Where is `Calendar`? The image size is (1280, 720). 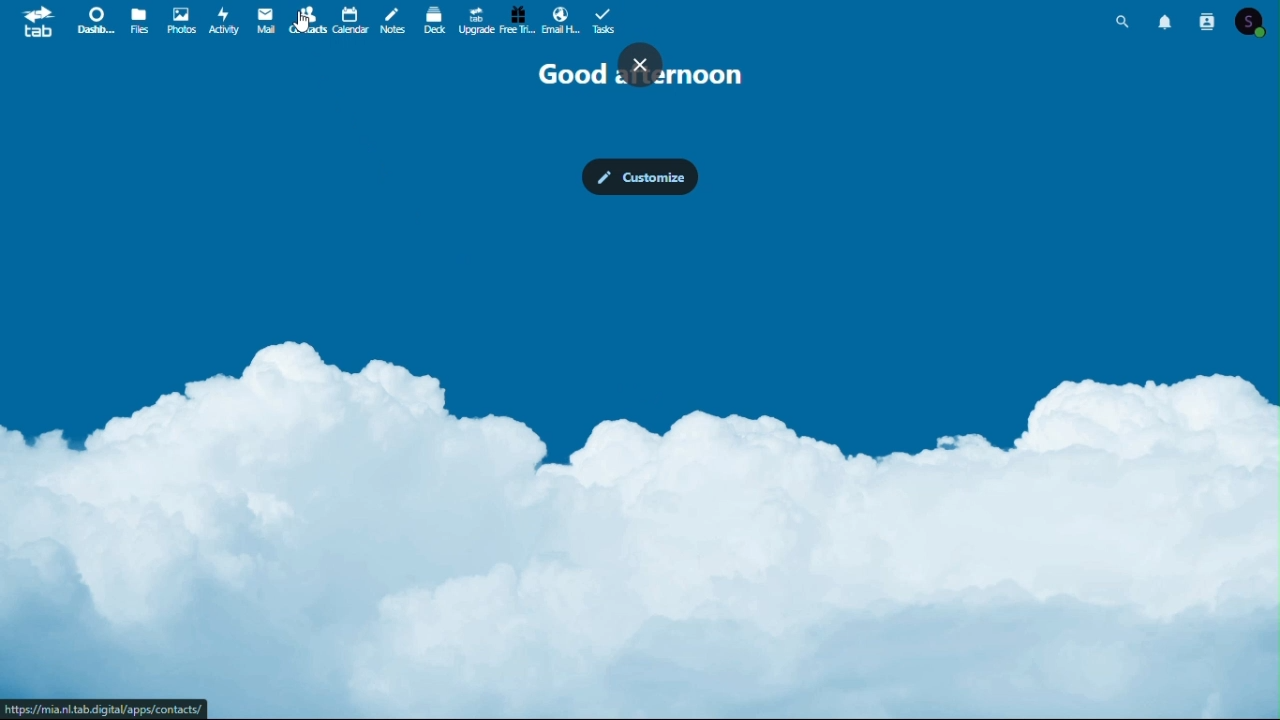
Calendar is located at coordinates (349, 22).